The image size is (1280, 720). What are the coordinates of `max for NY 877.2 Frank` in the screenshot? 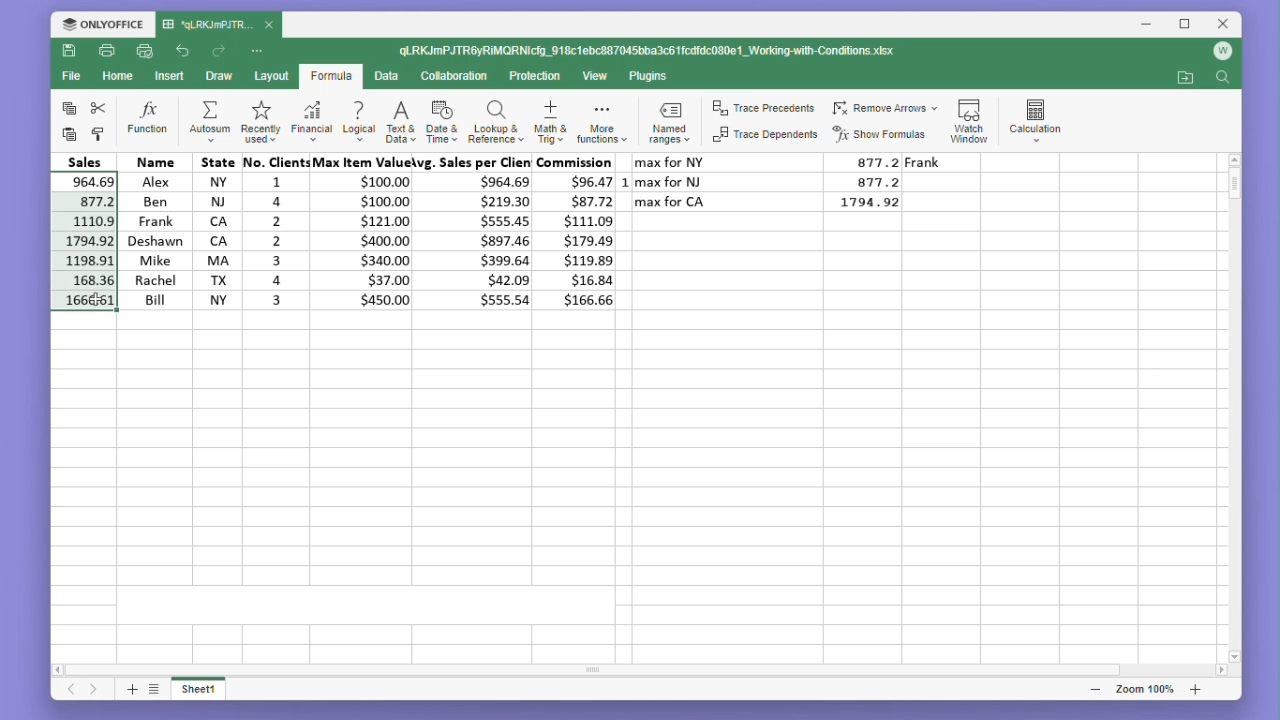 It's located at (795, 161).